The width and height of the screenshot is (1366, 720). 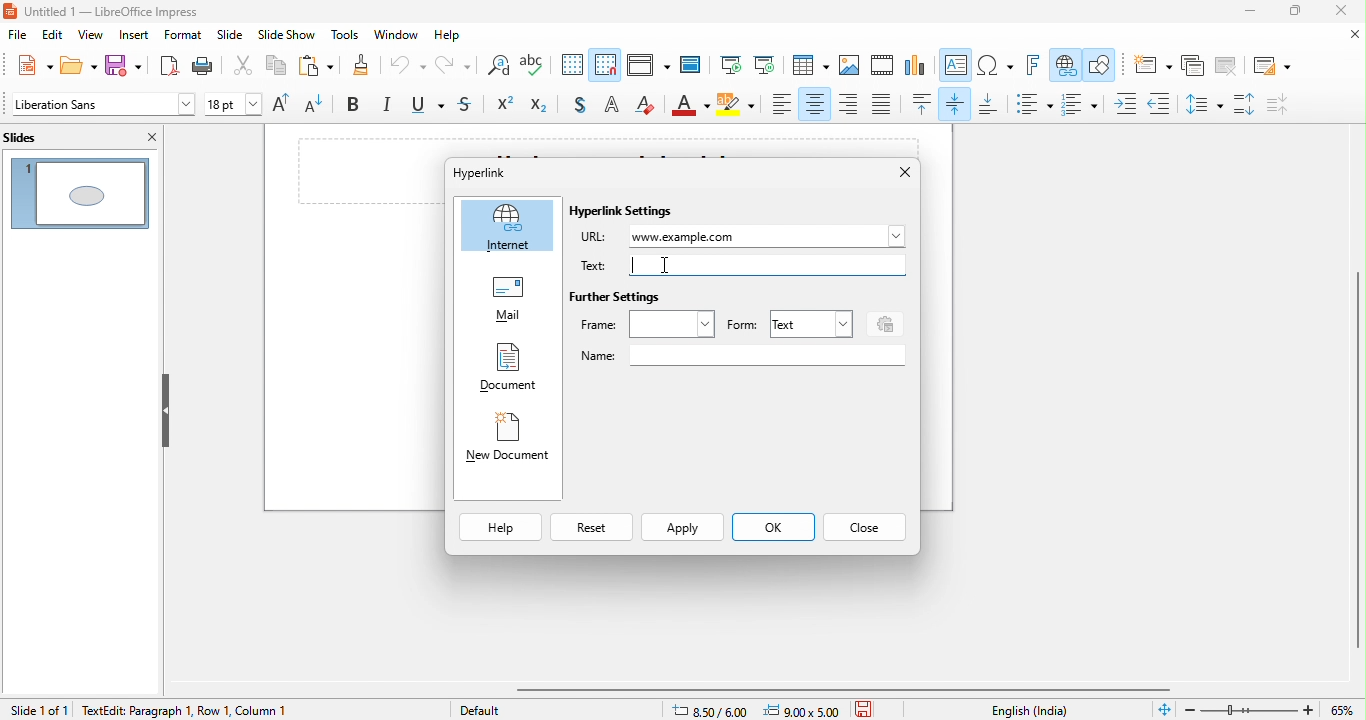 I want to click on decrease paragraph spacing, so click(x=1290, y=104).